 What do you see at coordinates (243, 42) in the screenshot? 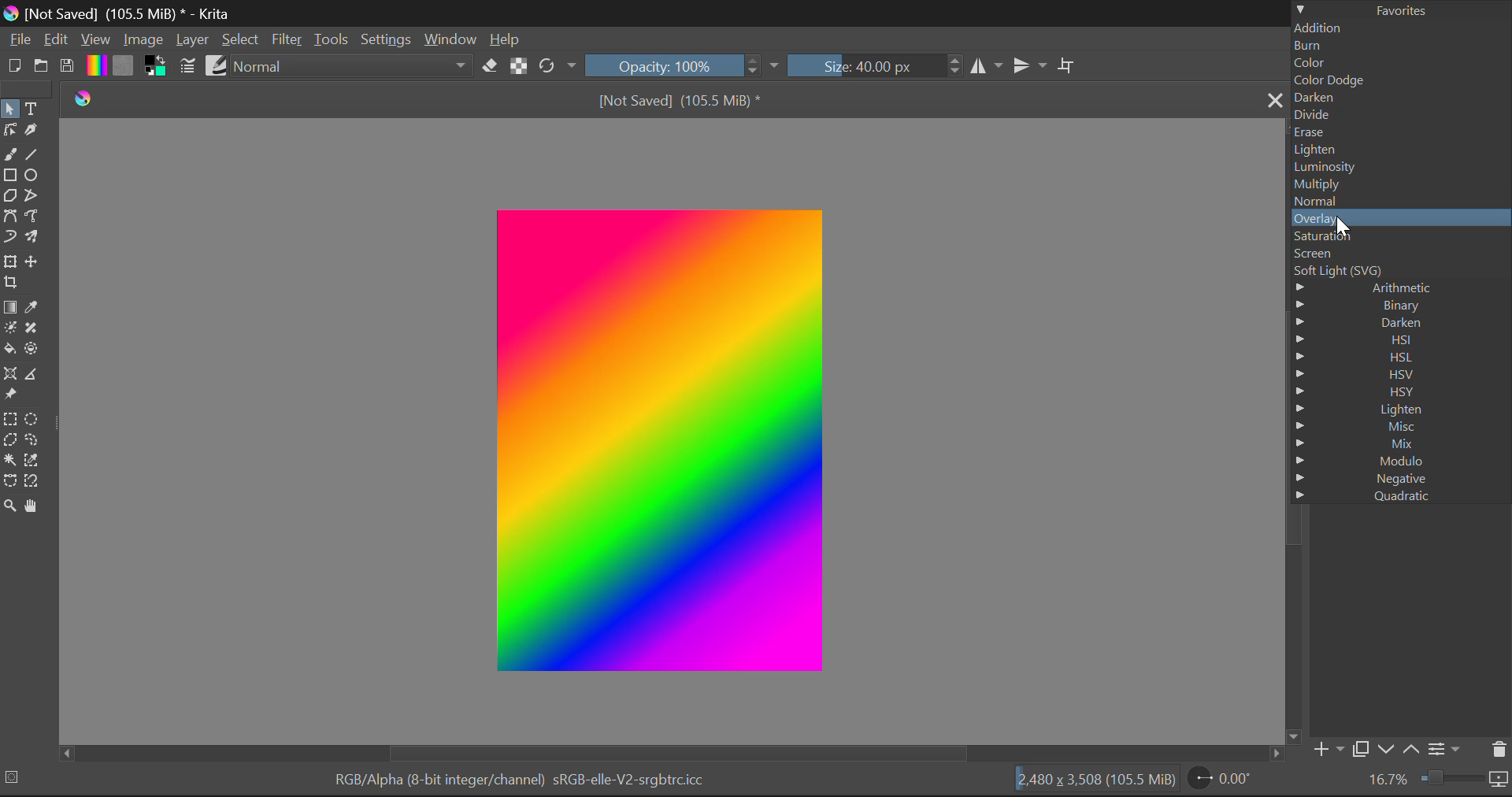
I see `Select` at bounding box center [243, 42].